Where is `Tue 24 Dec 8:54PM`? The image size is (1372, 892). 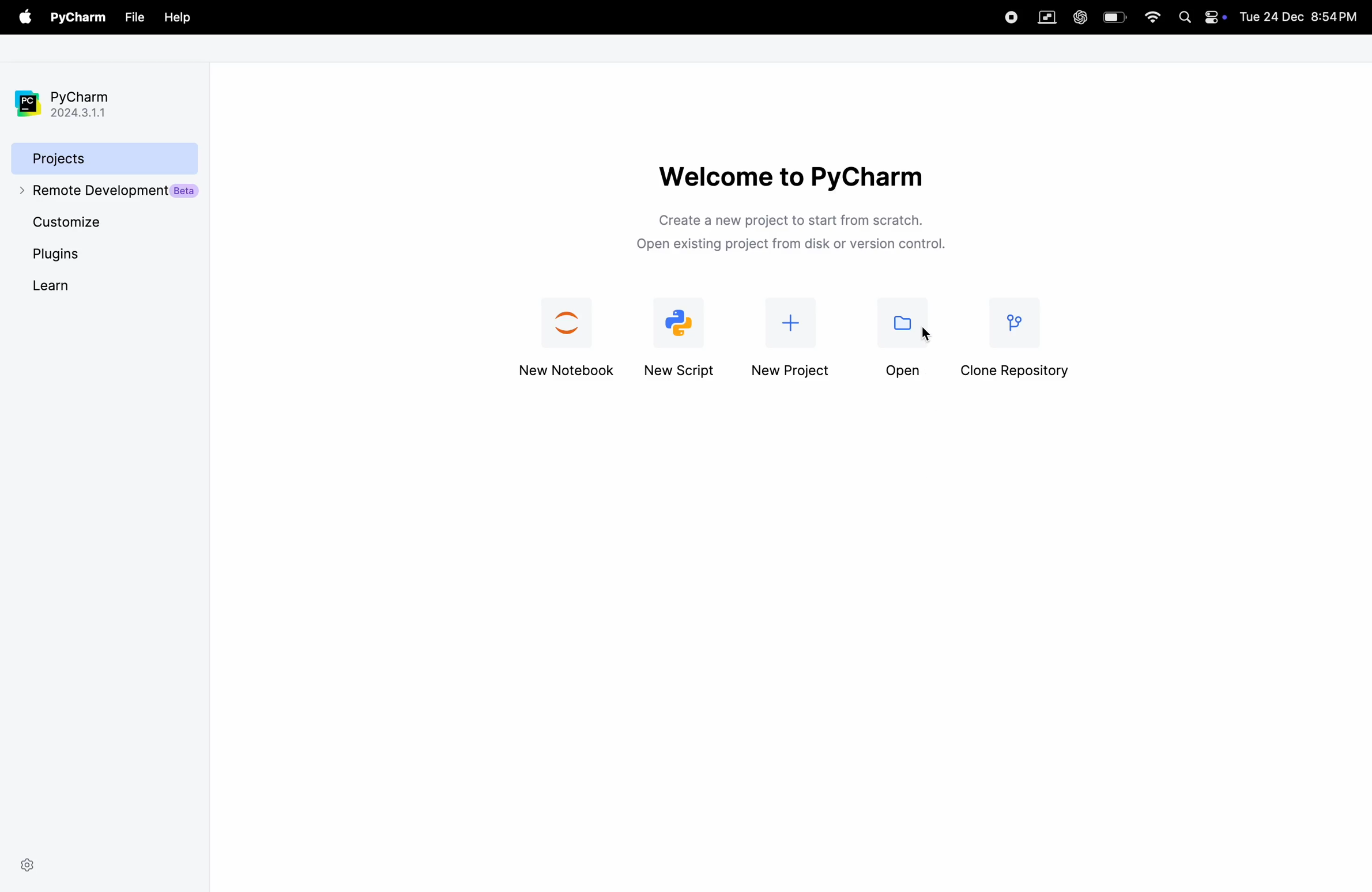 Tue 24 Dec 8:54PM is located at coordinates (1305, 16).